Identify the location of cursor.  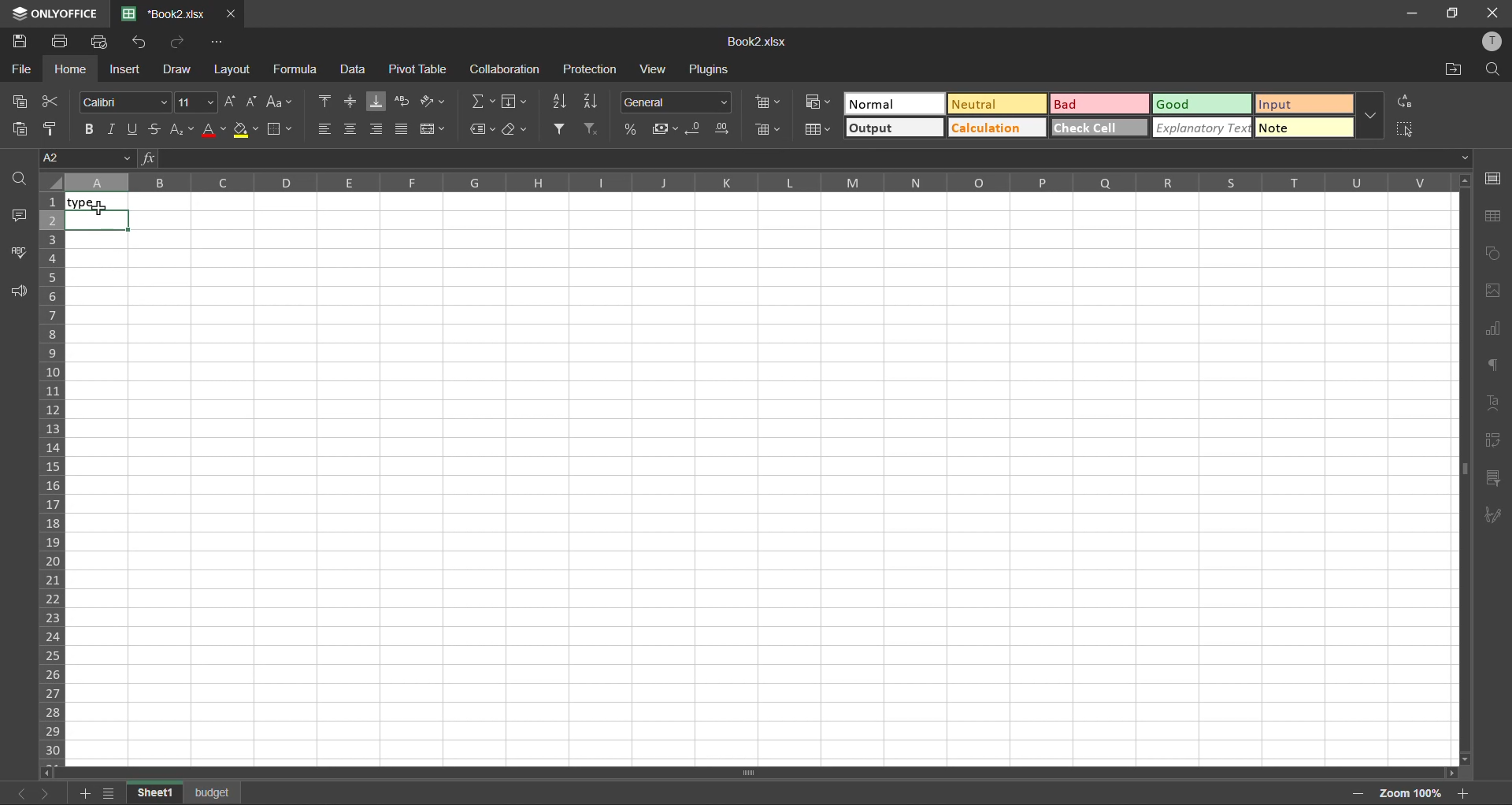
(103, 212).